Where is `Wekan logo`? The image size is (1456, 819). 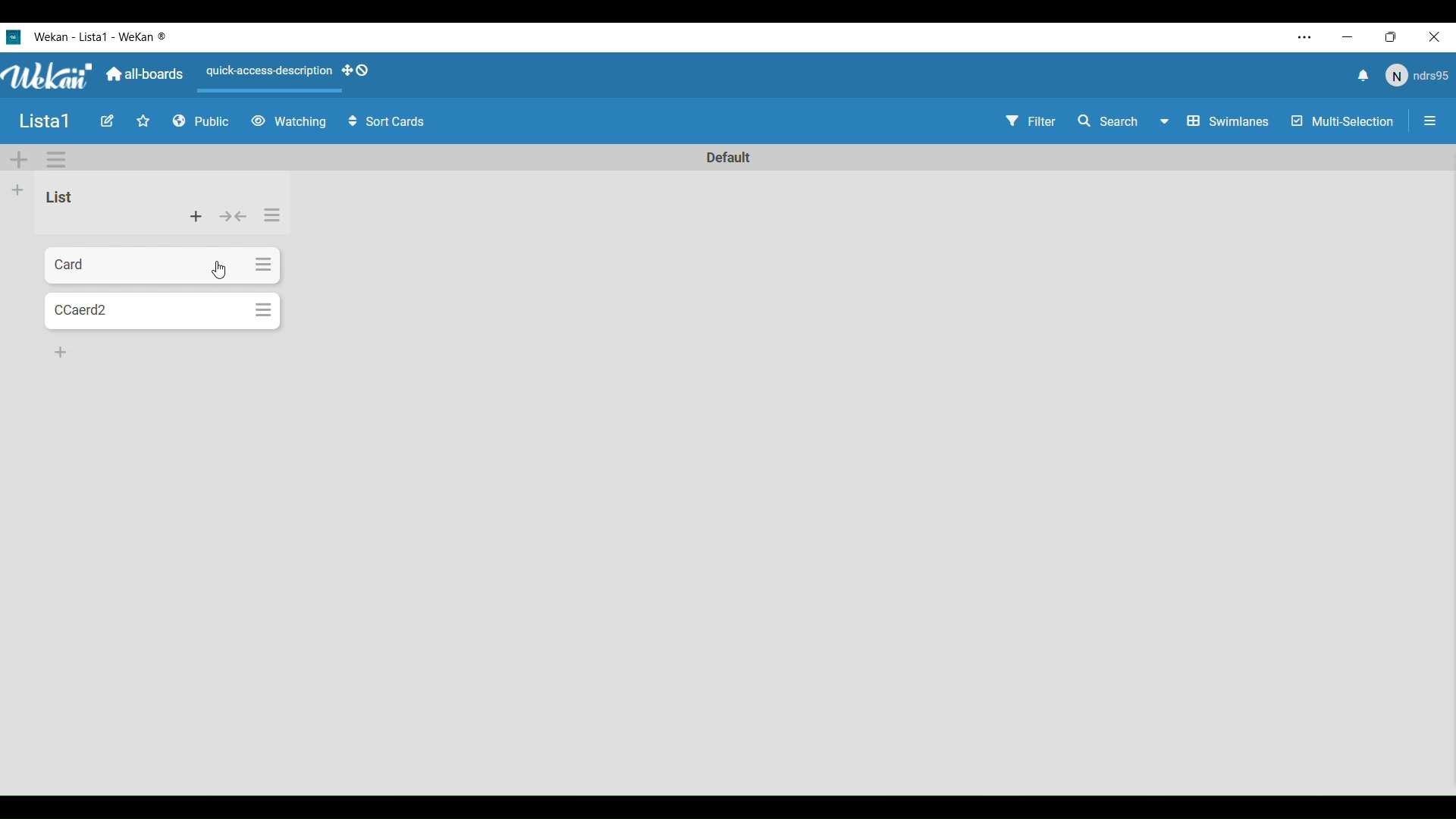 Wekan logo is located at coordinates (13, 36).